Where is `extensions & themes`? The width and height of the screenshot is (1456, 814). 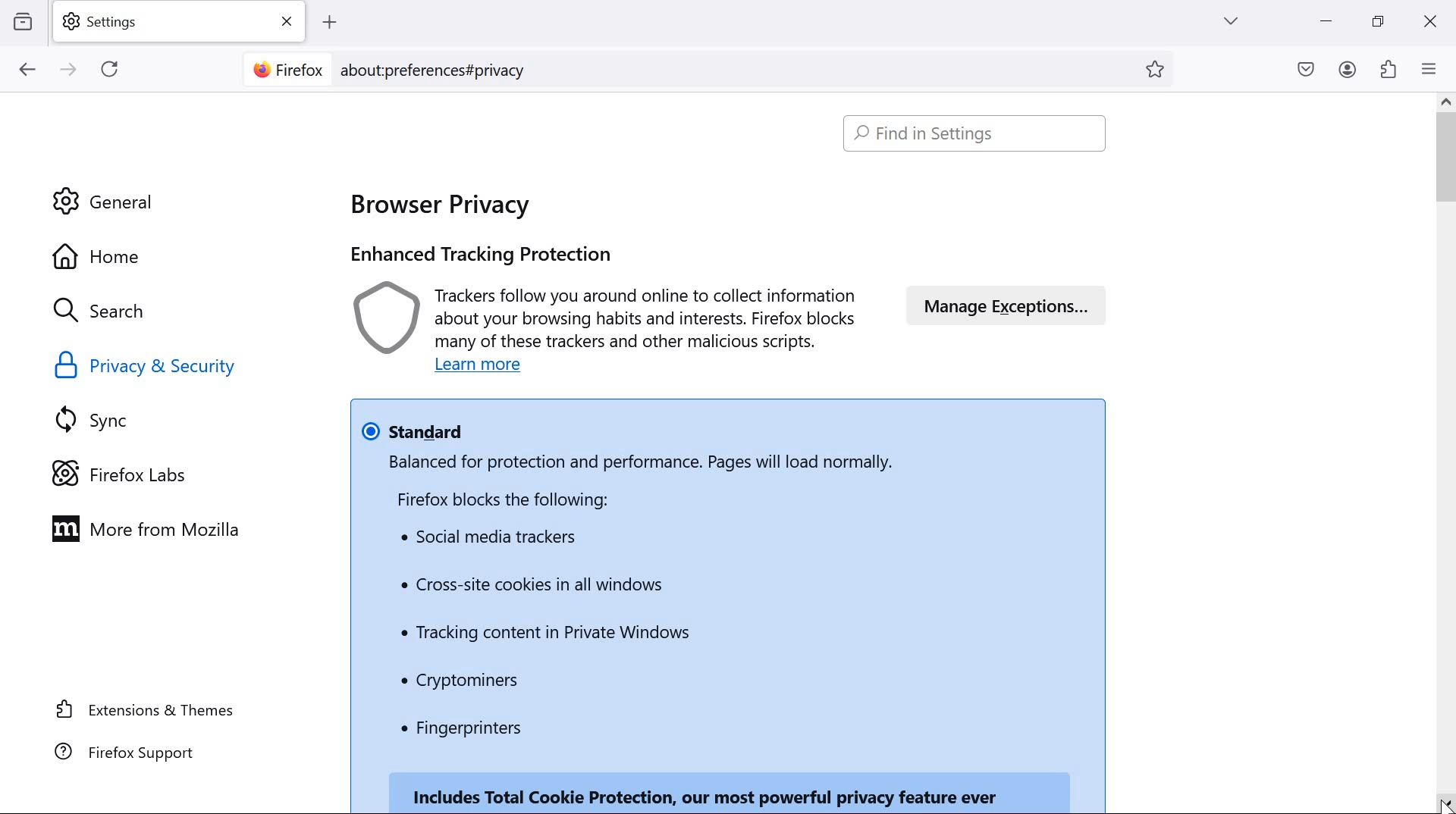
extensions & themes is located at coordinates (146, 709).